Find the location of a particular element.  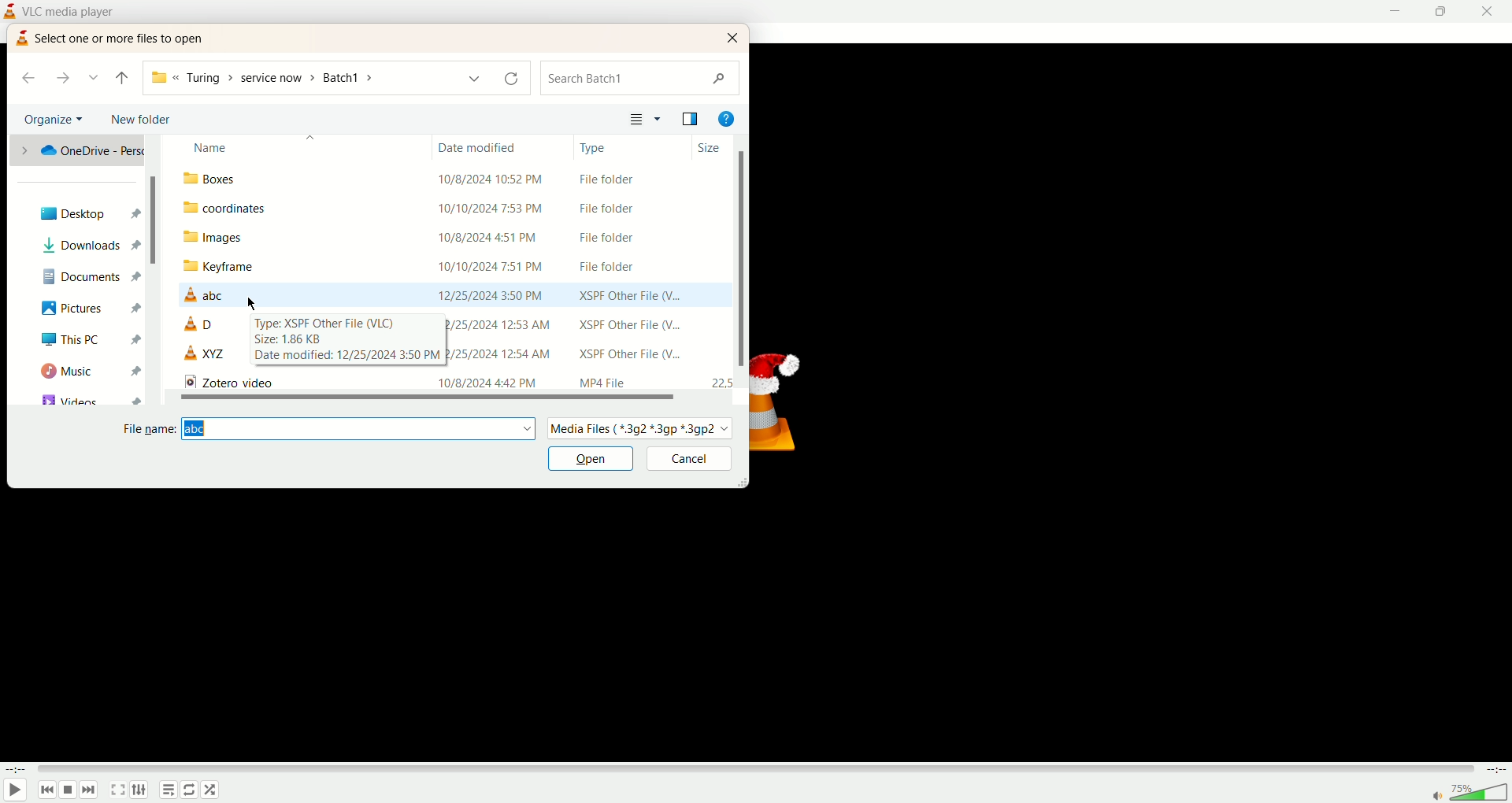

go upto is located at coordinates (122, 79).